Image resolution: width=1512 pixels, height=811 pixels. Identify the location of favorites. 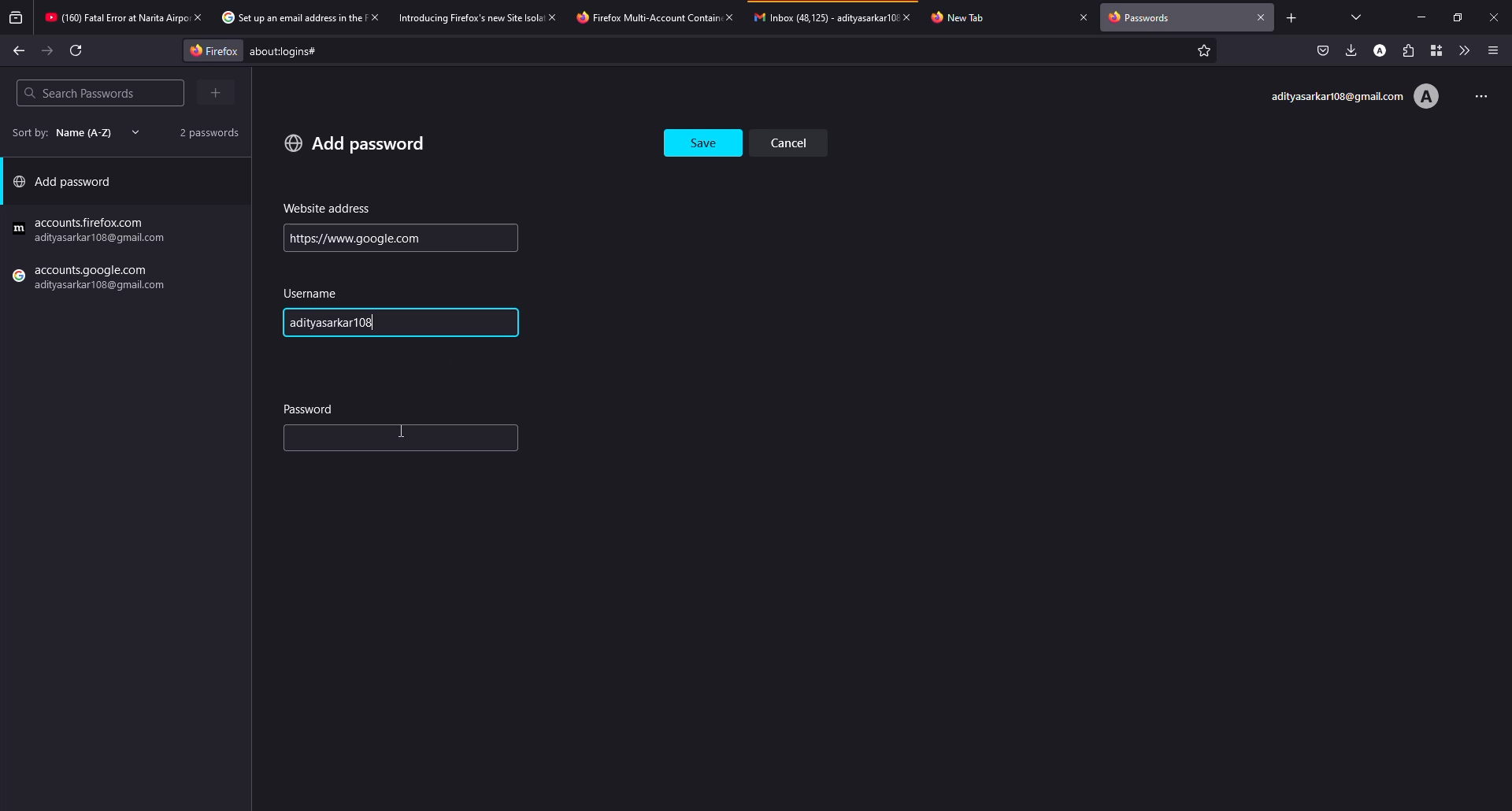
(1202, 52).